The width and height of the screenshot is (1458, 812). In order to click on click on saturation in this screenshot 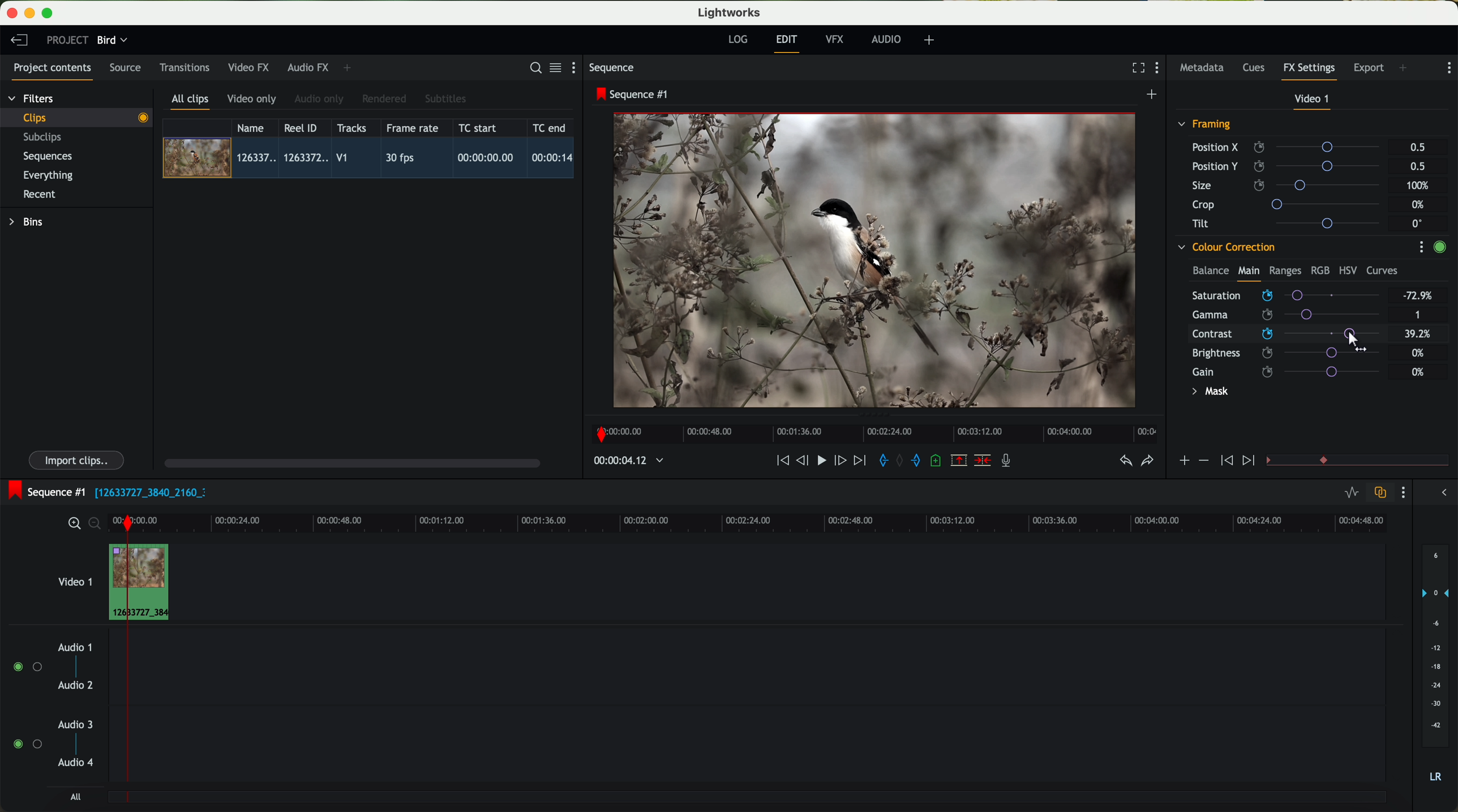, I will do `click(1280, 315)`.